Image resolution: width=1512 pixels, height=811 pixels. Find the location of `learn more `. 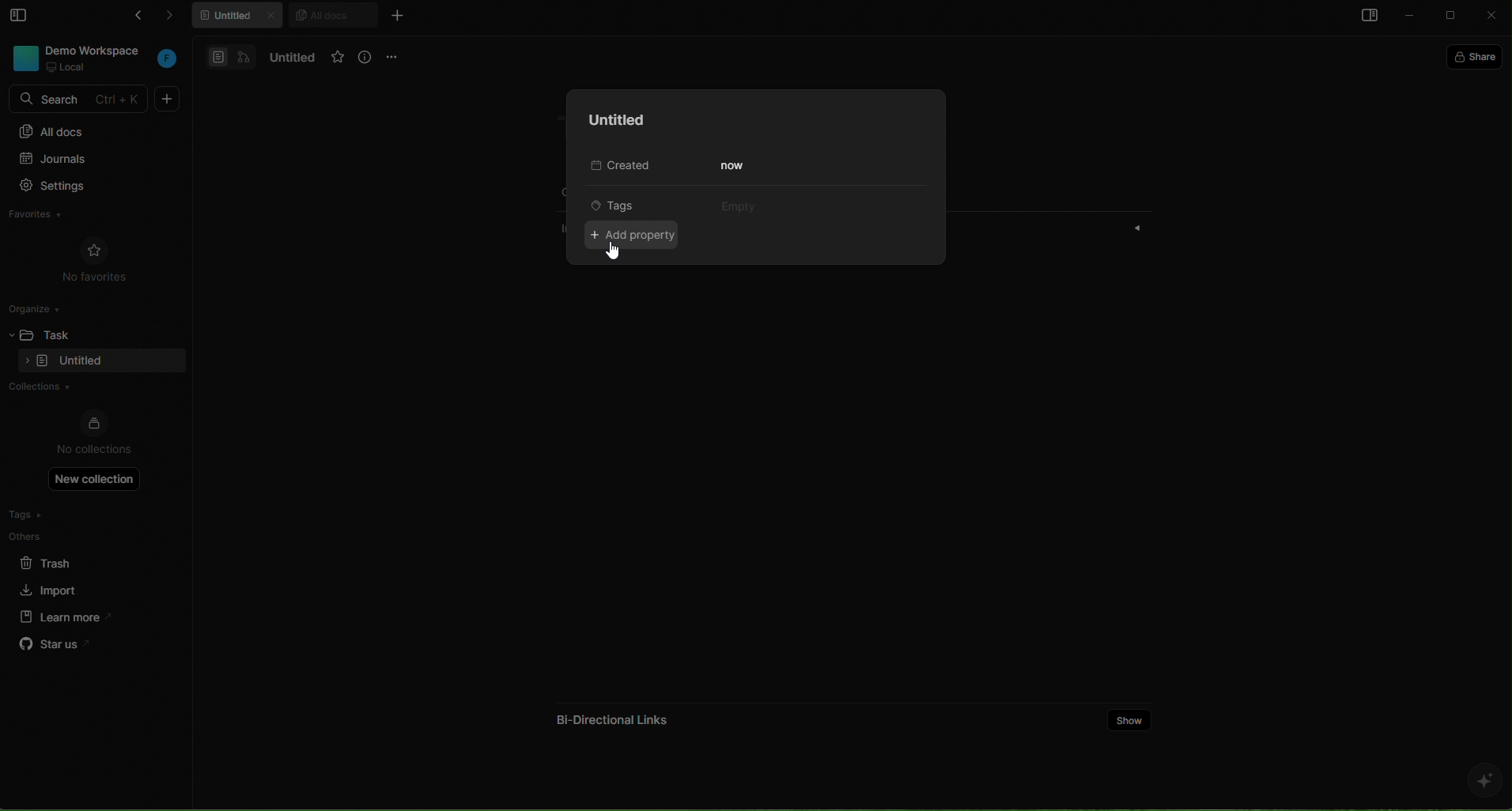

learn more  is located at coordinates (60, 616).